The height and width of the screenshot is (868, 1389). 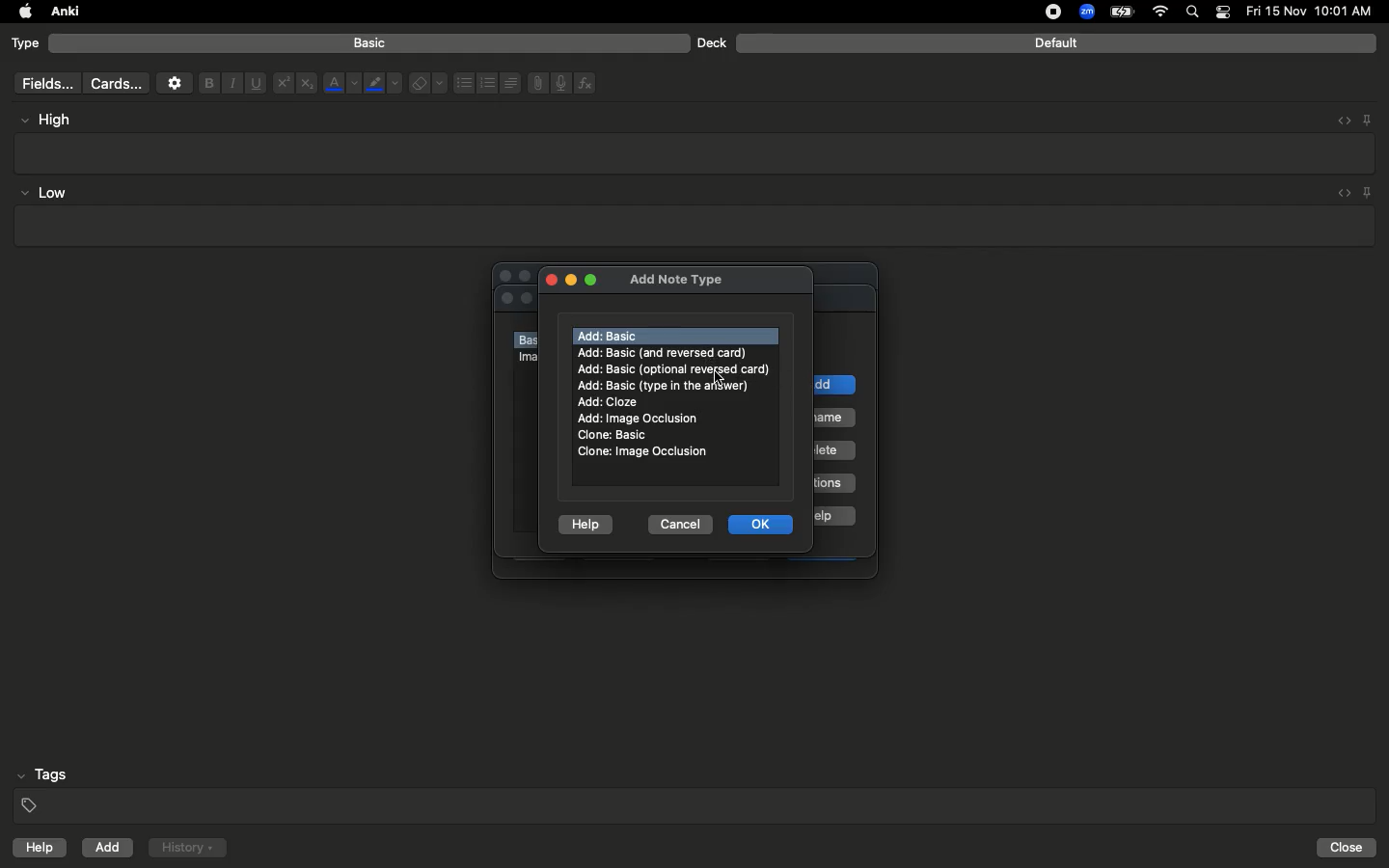 I want to click on Close, so click(x=1349, y=848).